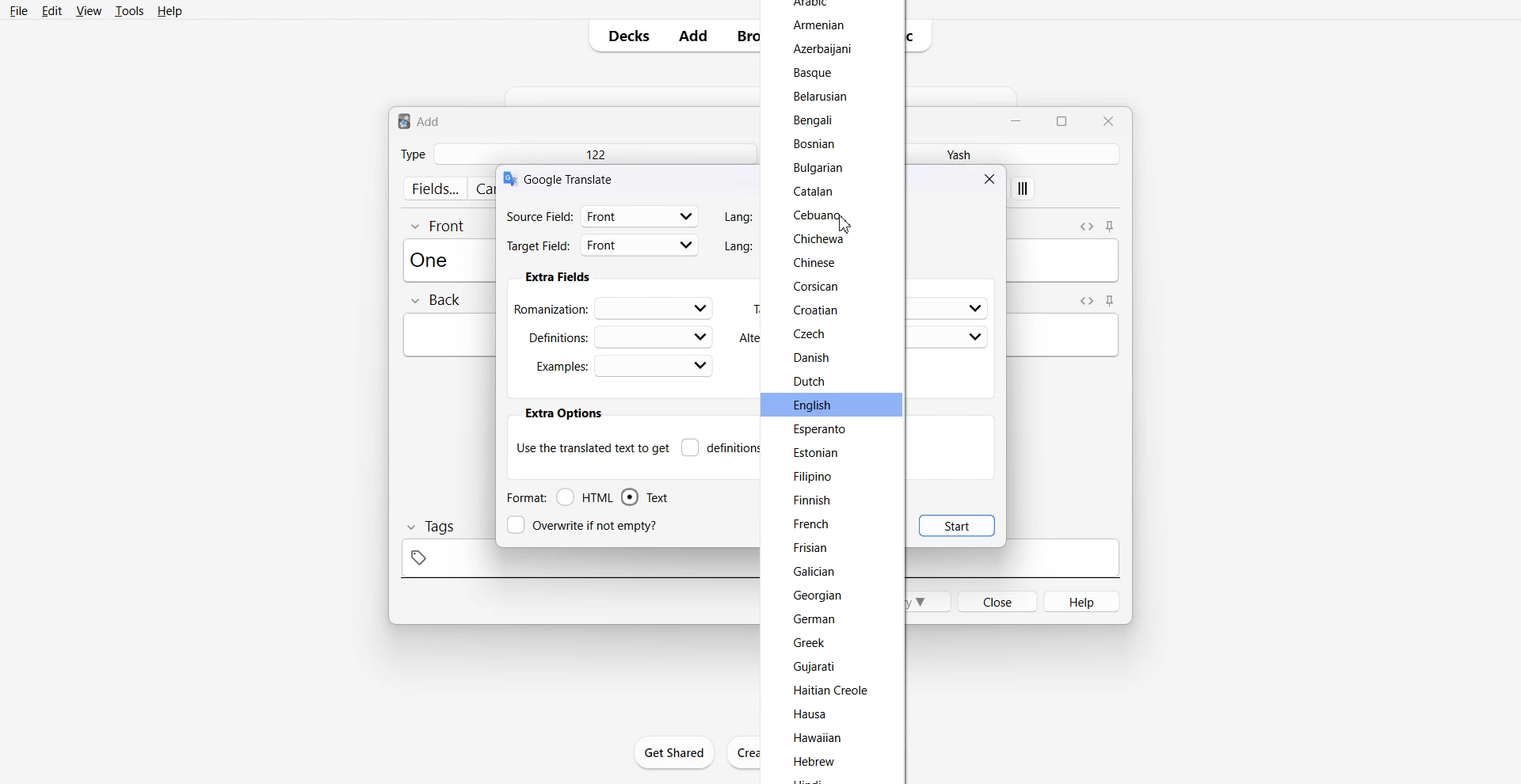  Describe the element at coordinates (820, 238) in the screenshot. I see `Chichewa` at that location.